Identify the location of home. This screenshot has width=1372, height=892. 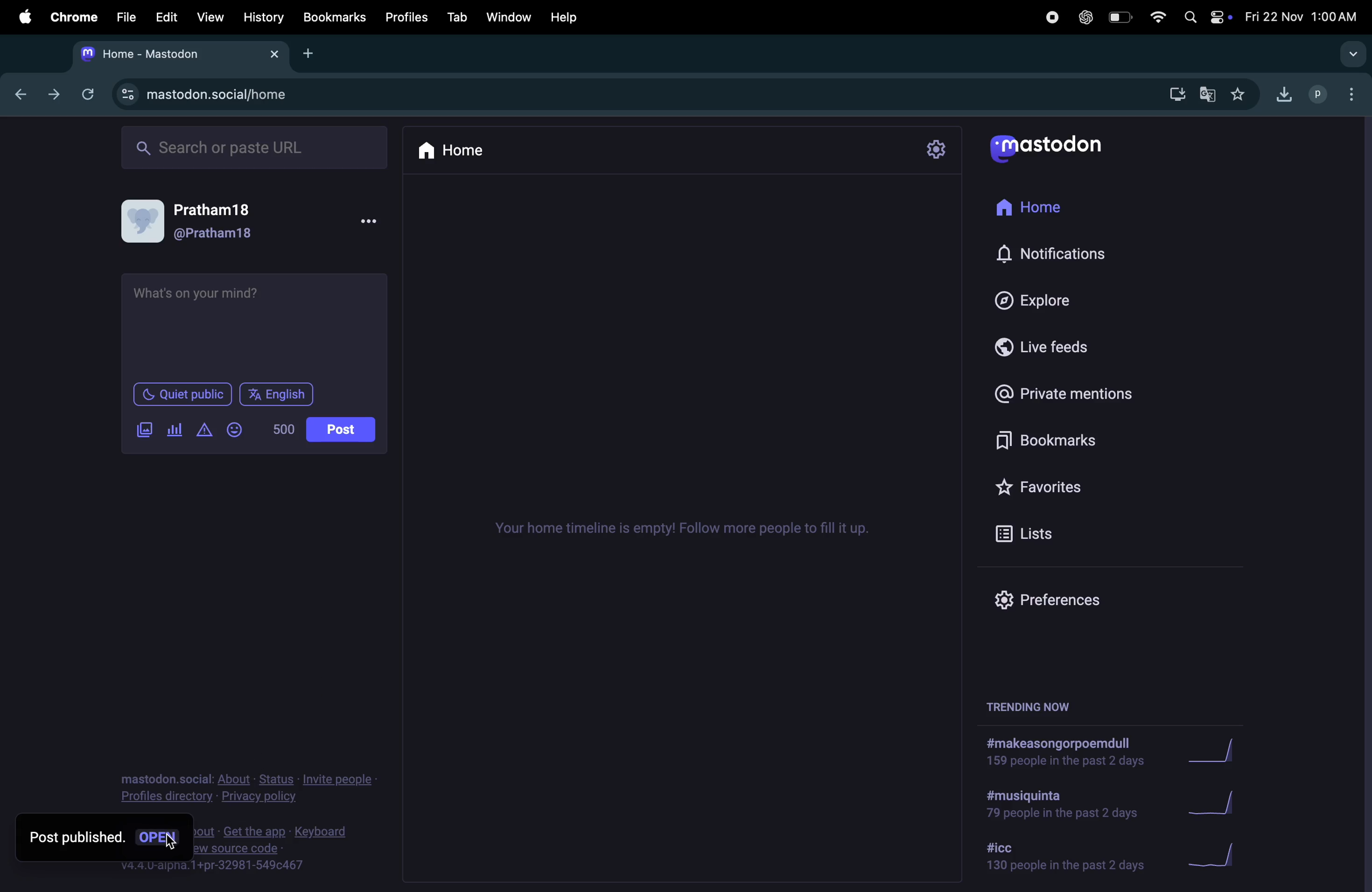
(459, 151).